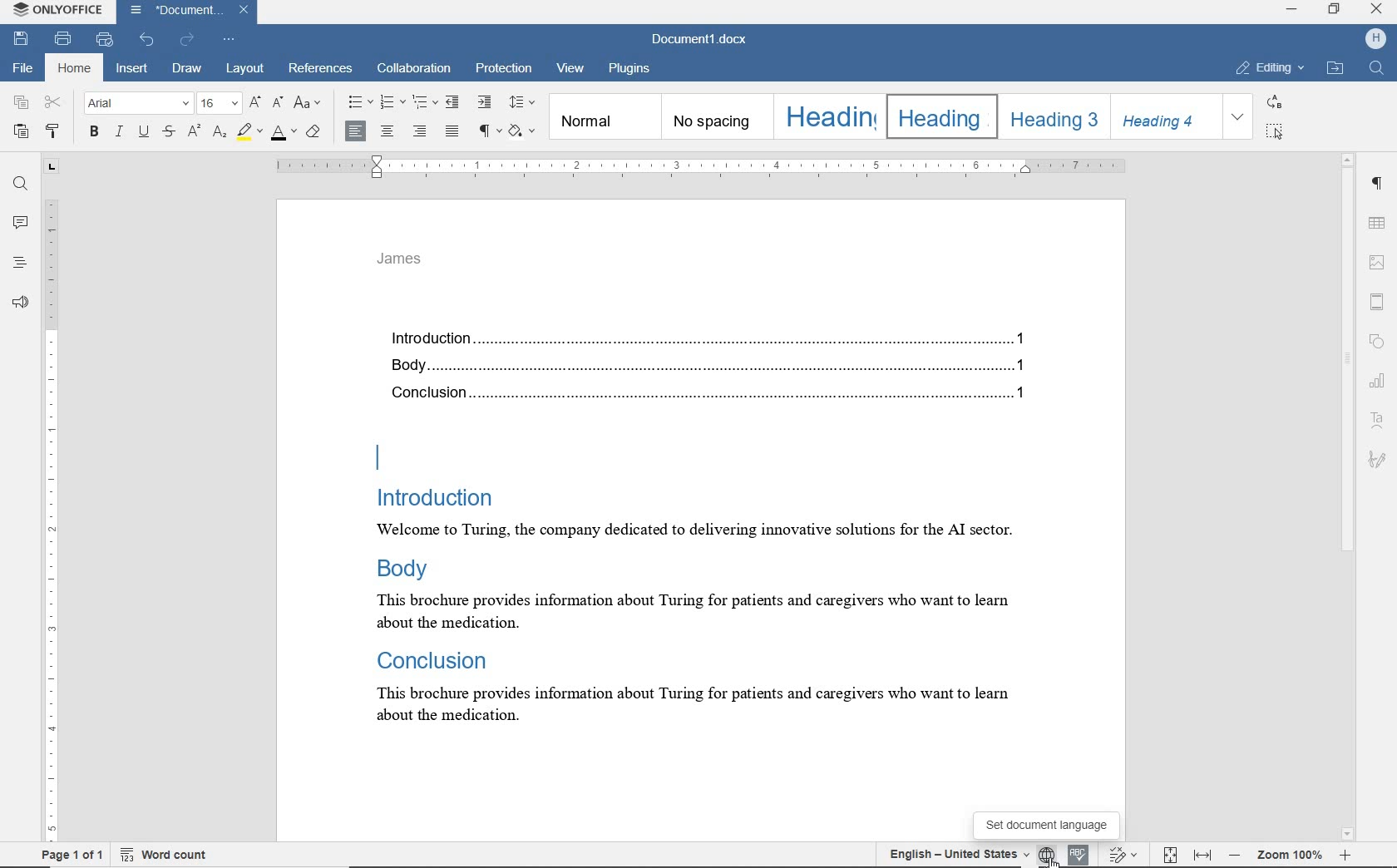 This screenshot has width=1397, height=868. Describe the element at coordinates (1379, 70) in the screenshot. I see `FIND` at that location.